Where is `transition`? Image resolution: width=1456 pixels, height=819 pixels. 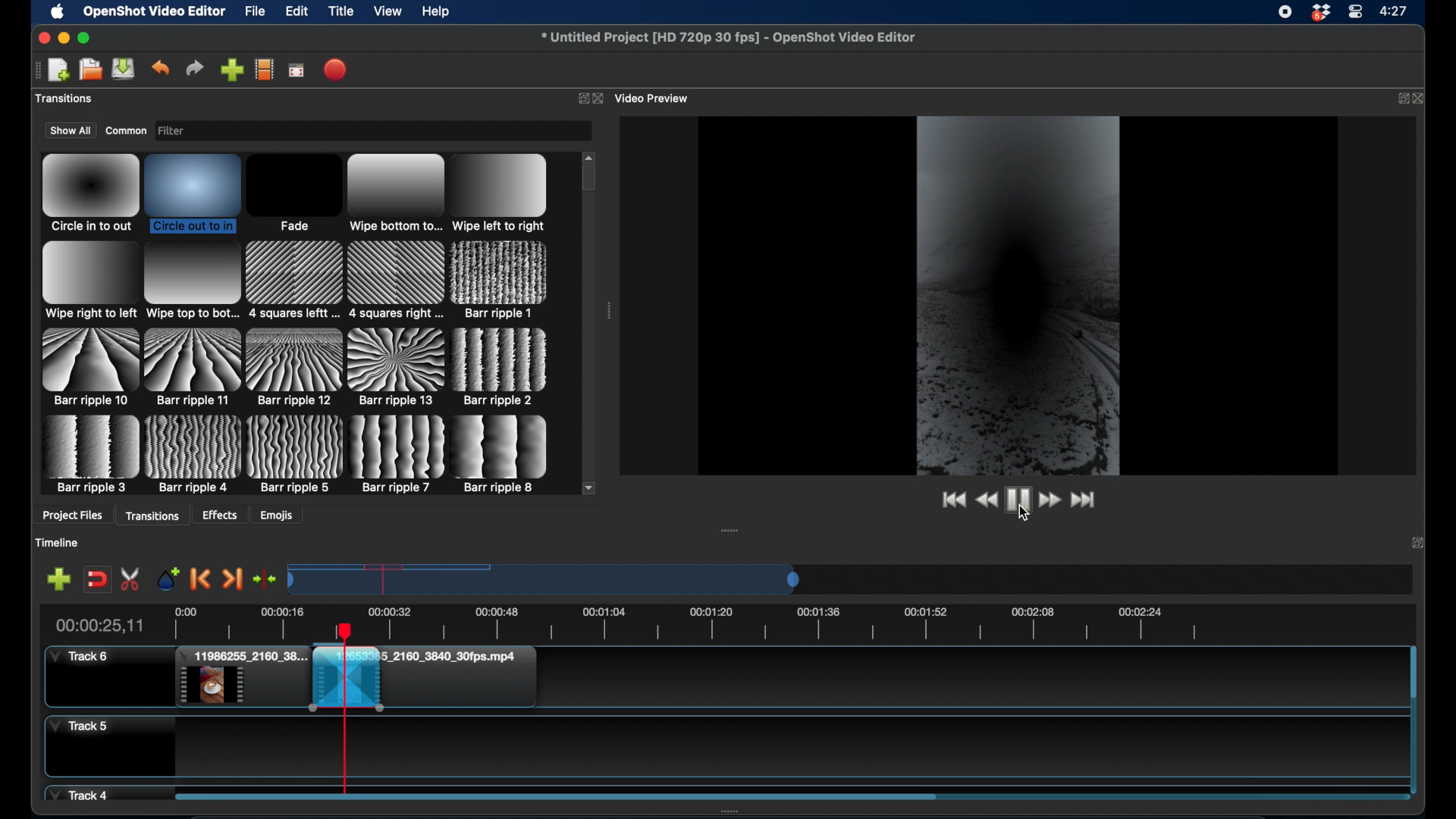
transition is located at coordinates (294, 368).